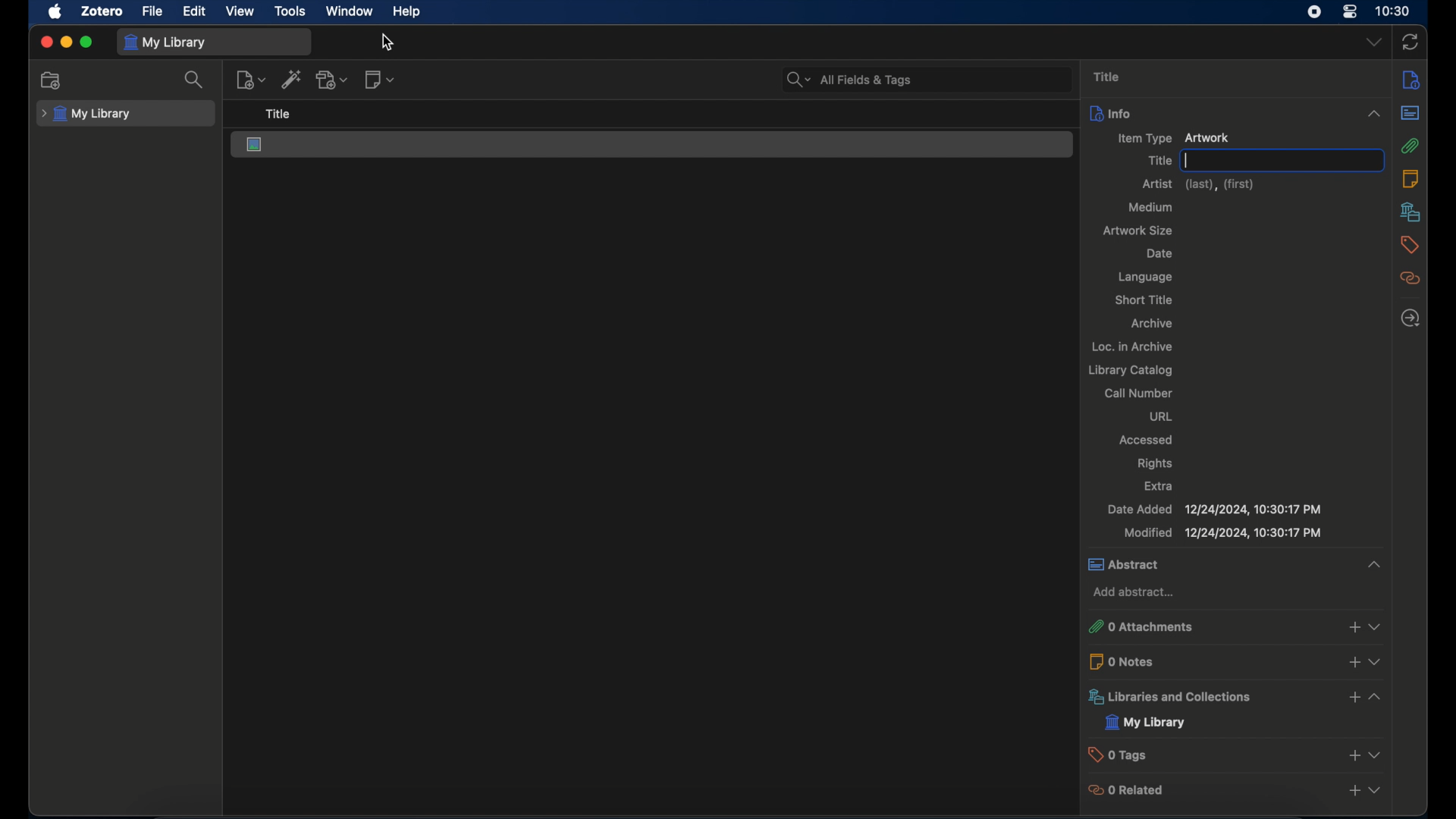 Image resolution: width=1456 pixels, height=819 pixels. I want to click on add abstract, so click(1134, 592).